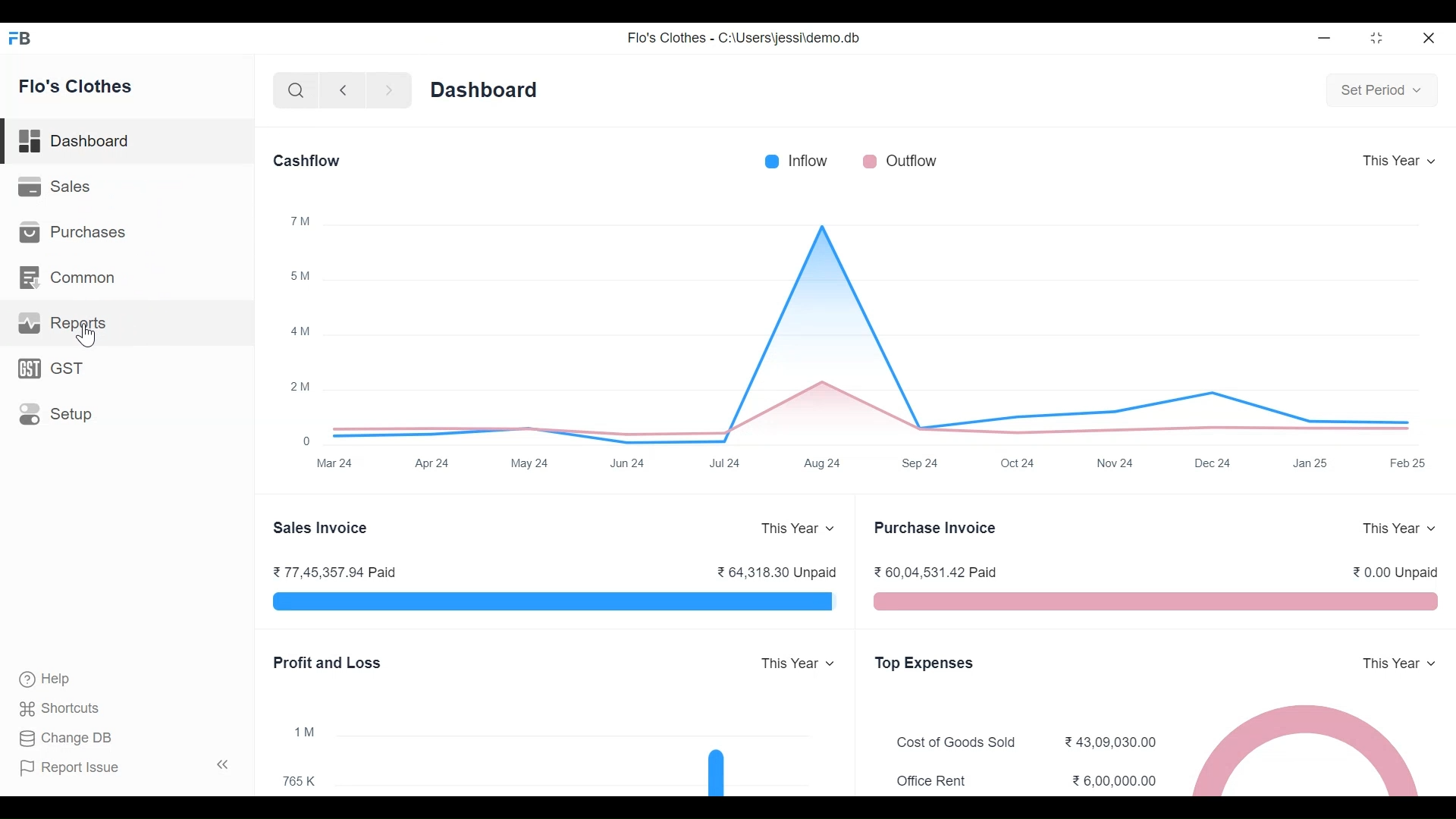  Describe the element at coordinates (869, 160) in the screenshot. I see `Outflow color bar` at that location.